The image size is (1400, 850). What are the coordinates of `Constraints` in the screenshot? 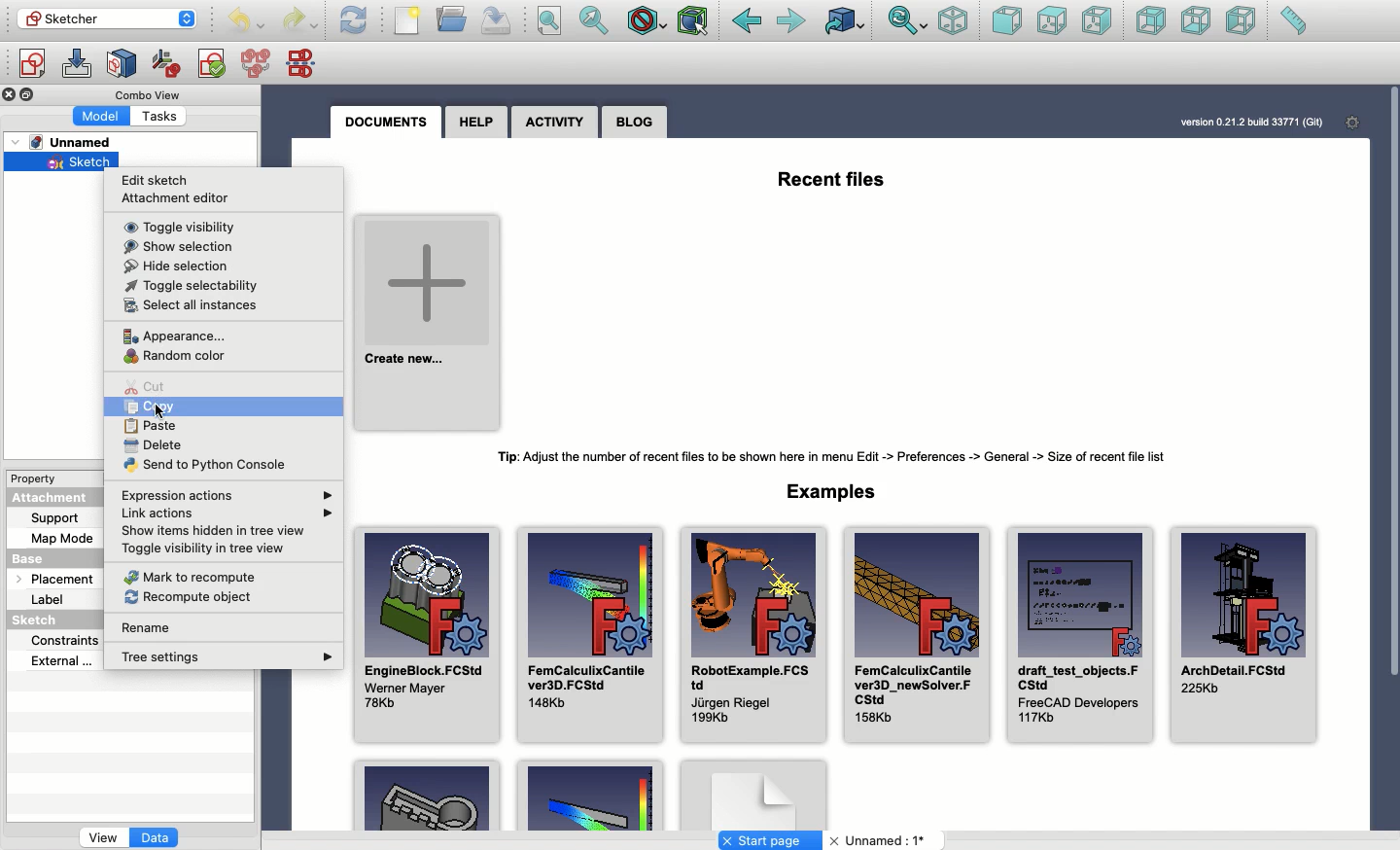 It's located at (69, 639).